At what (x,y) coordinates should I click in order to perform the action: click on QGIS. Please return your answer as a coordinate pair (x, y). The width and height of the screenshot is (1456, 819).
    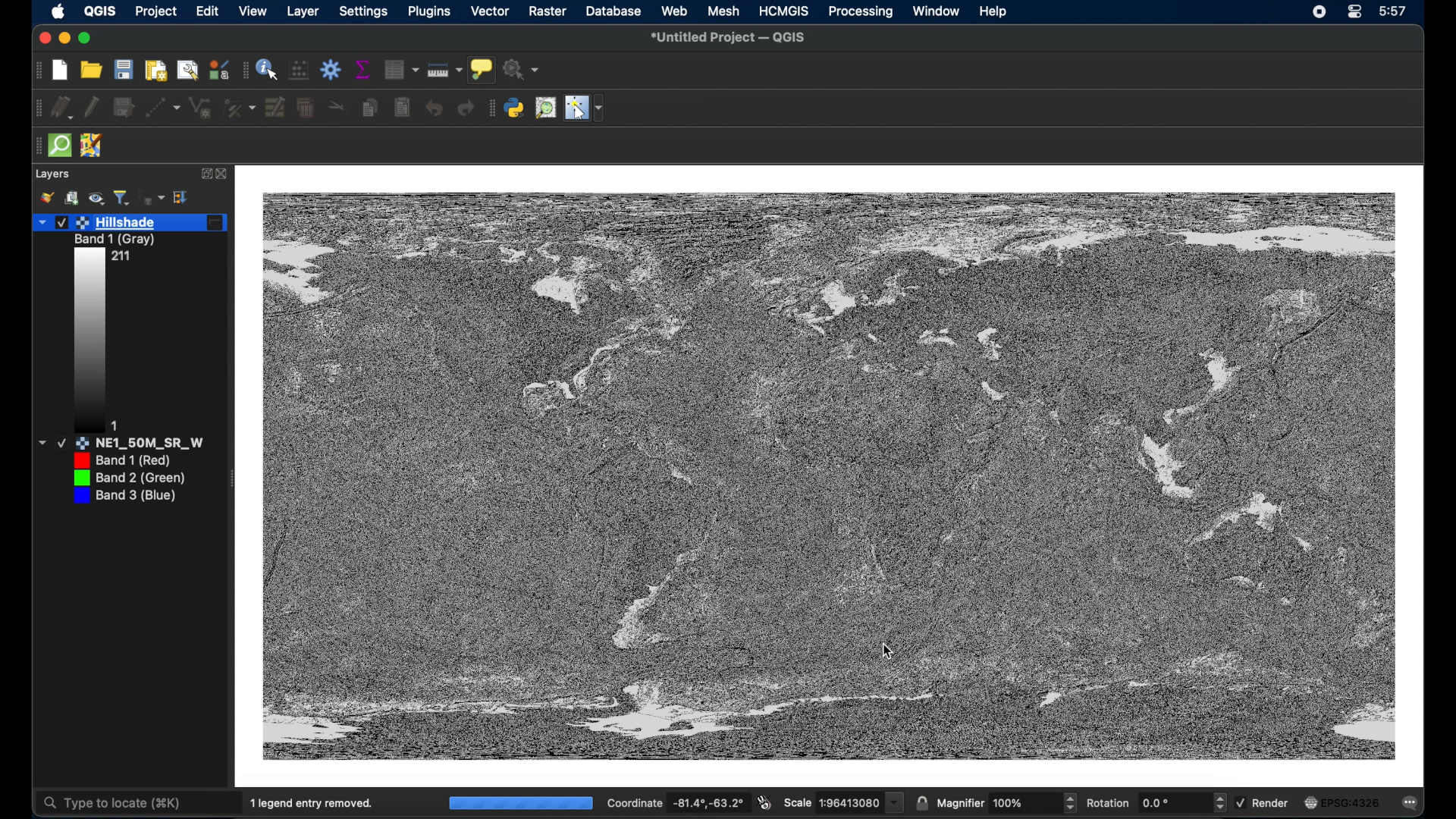
    Looking at the image, I should click on (102, 11).